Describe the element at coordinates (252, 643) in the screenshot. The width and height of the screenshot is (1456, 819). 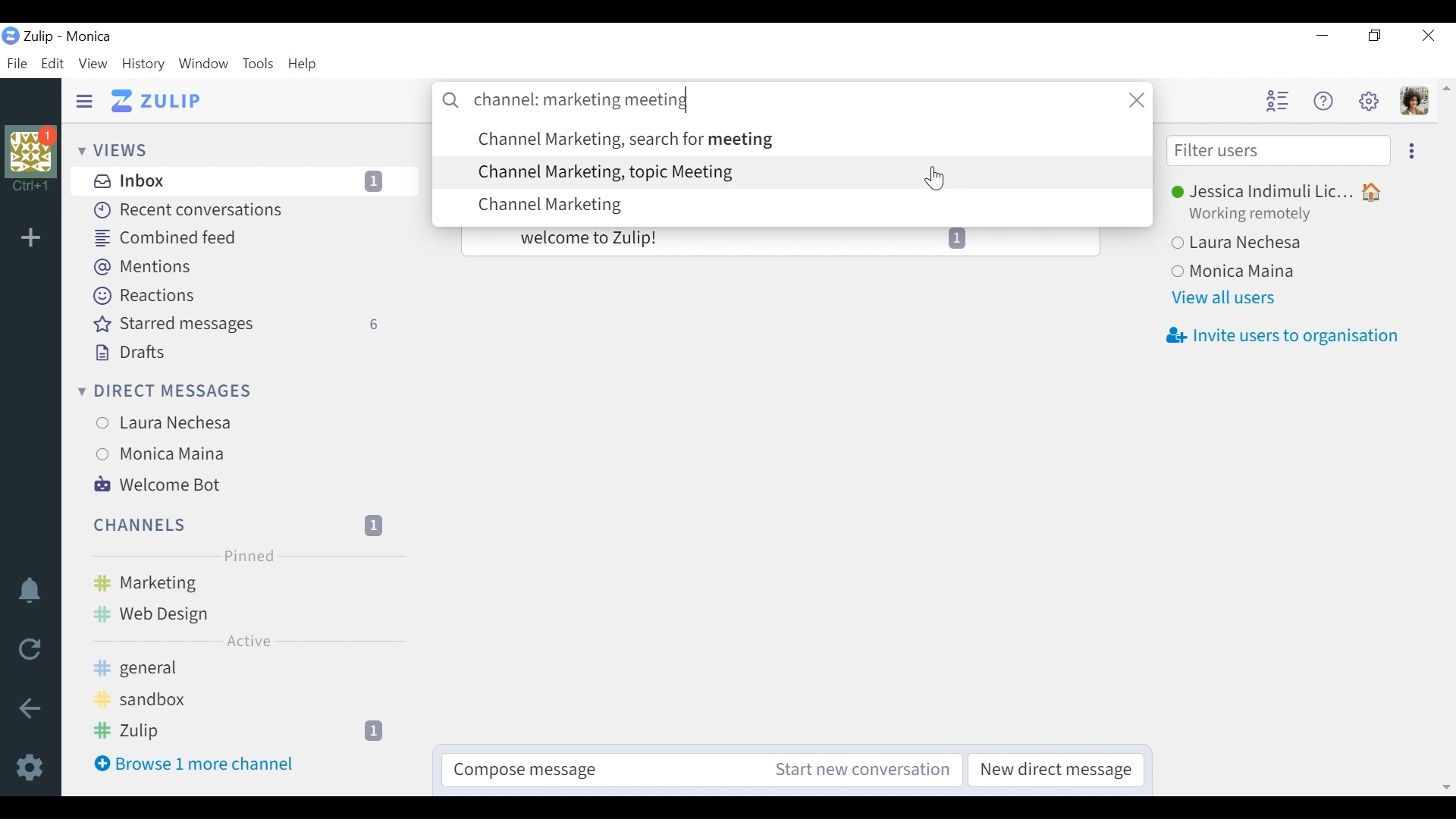
I see `Active` at that location.